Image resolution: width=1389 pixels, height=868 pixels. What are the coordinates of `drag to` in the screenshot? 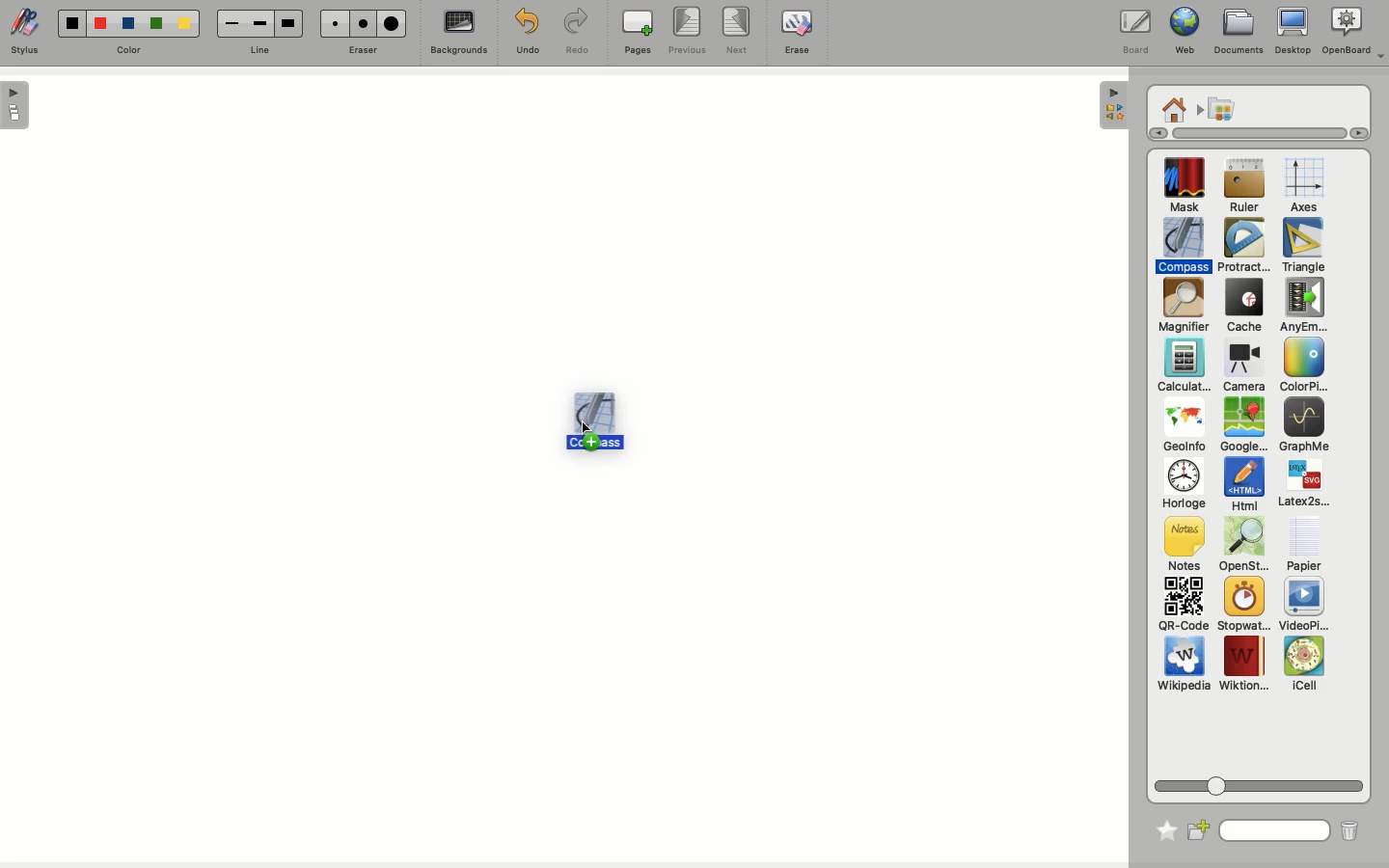 It's located at (587, 427).